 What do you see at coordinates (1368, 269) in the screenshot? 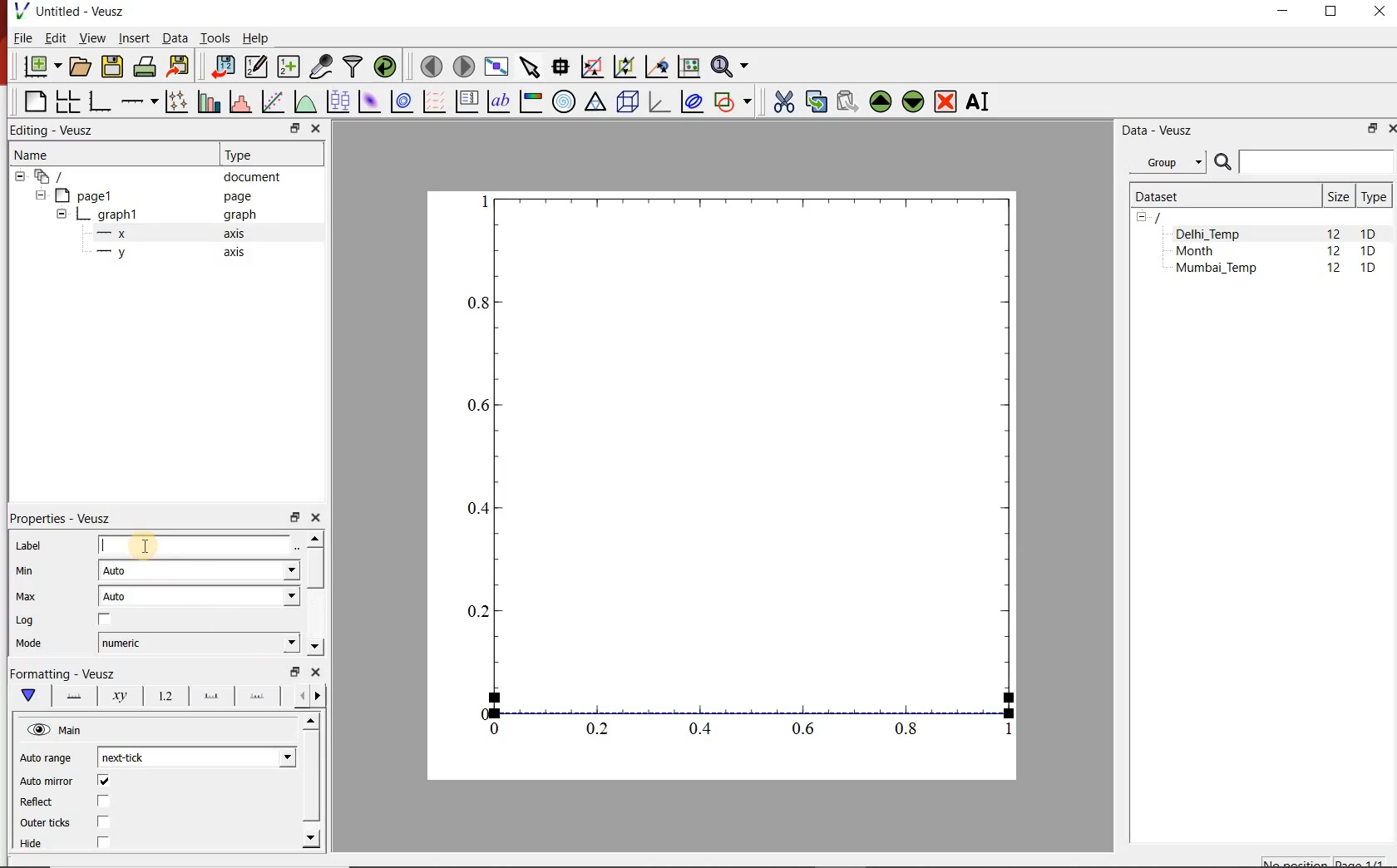
I see `1D` at bounding box center [1368, 269].